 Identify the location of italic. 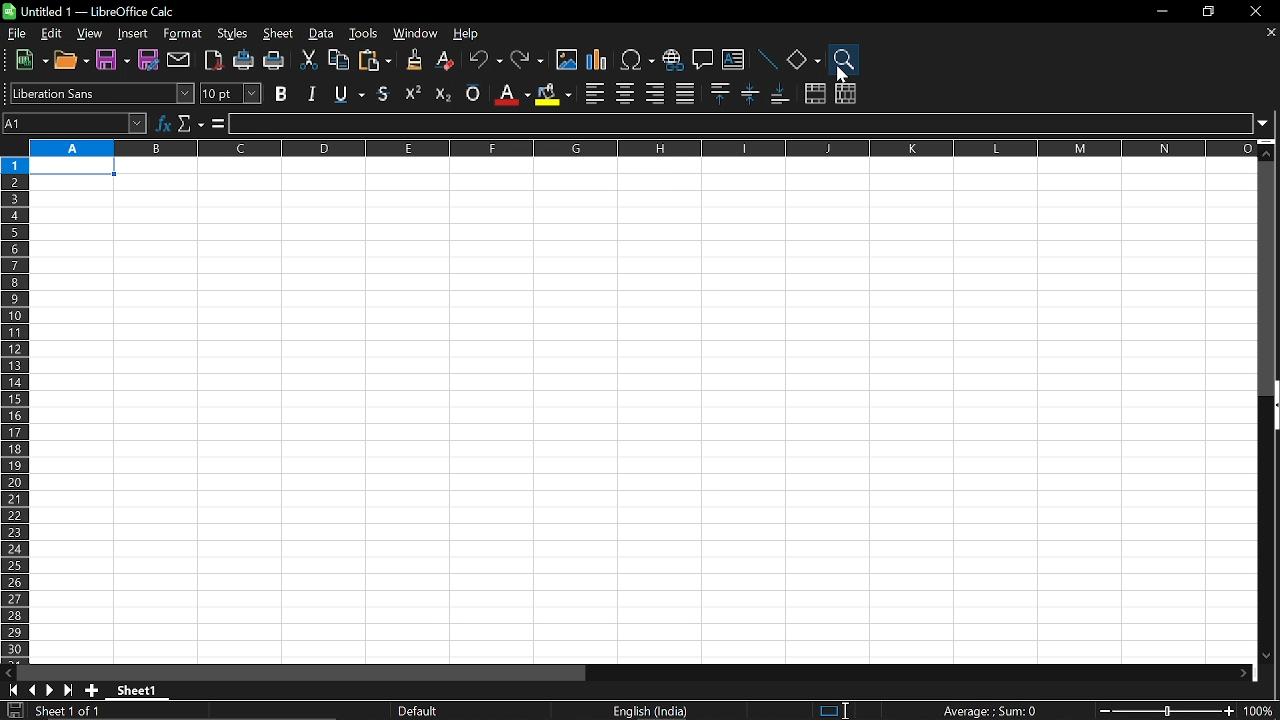
(312, 93).